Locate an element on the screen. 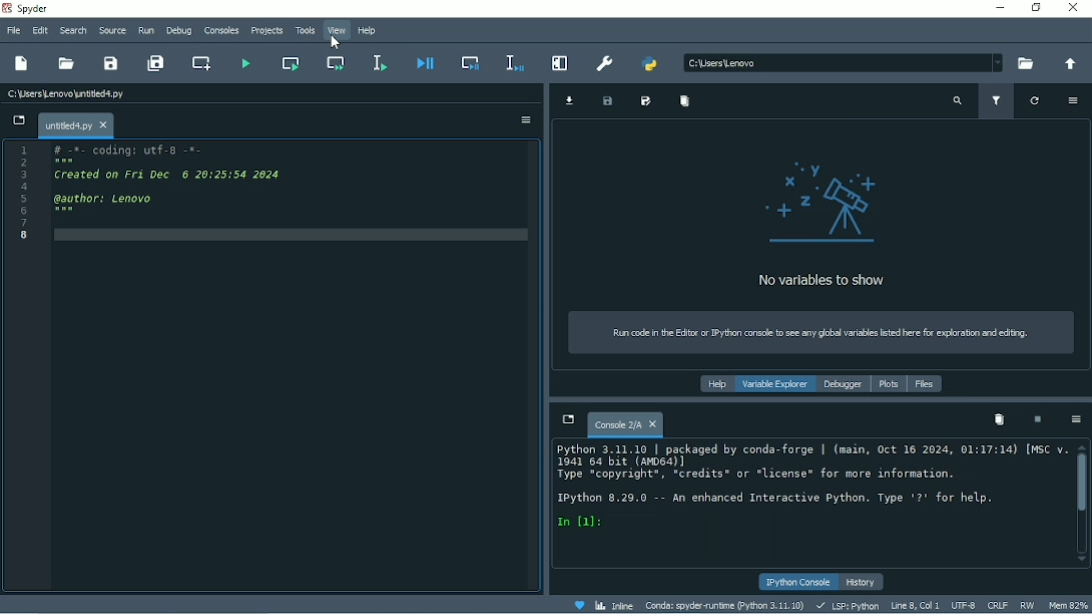 This screenshot has height=614, width=1092. Browse tabs is located at coordinates (566, 419).